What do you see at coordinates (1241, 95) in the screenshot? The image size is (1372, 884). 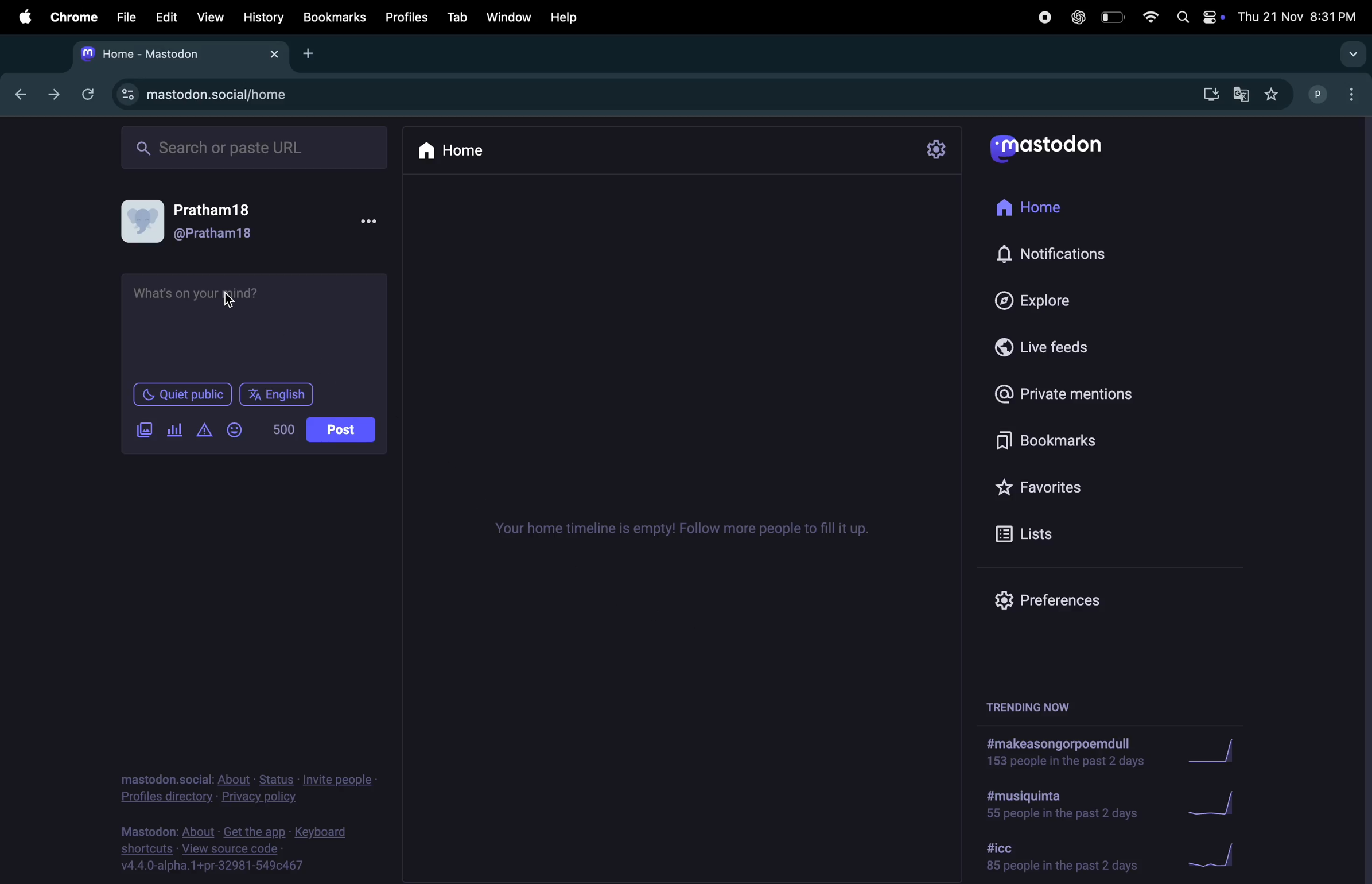 I see `translate` at bounding box center [1241, 95].